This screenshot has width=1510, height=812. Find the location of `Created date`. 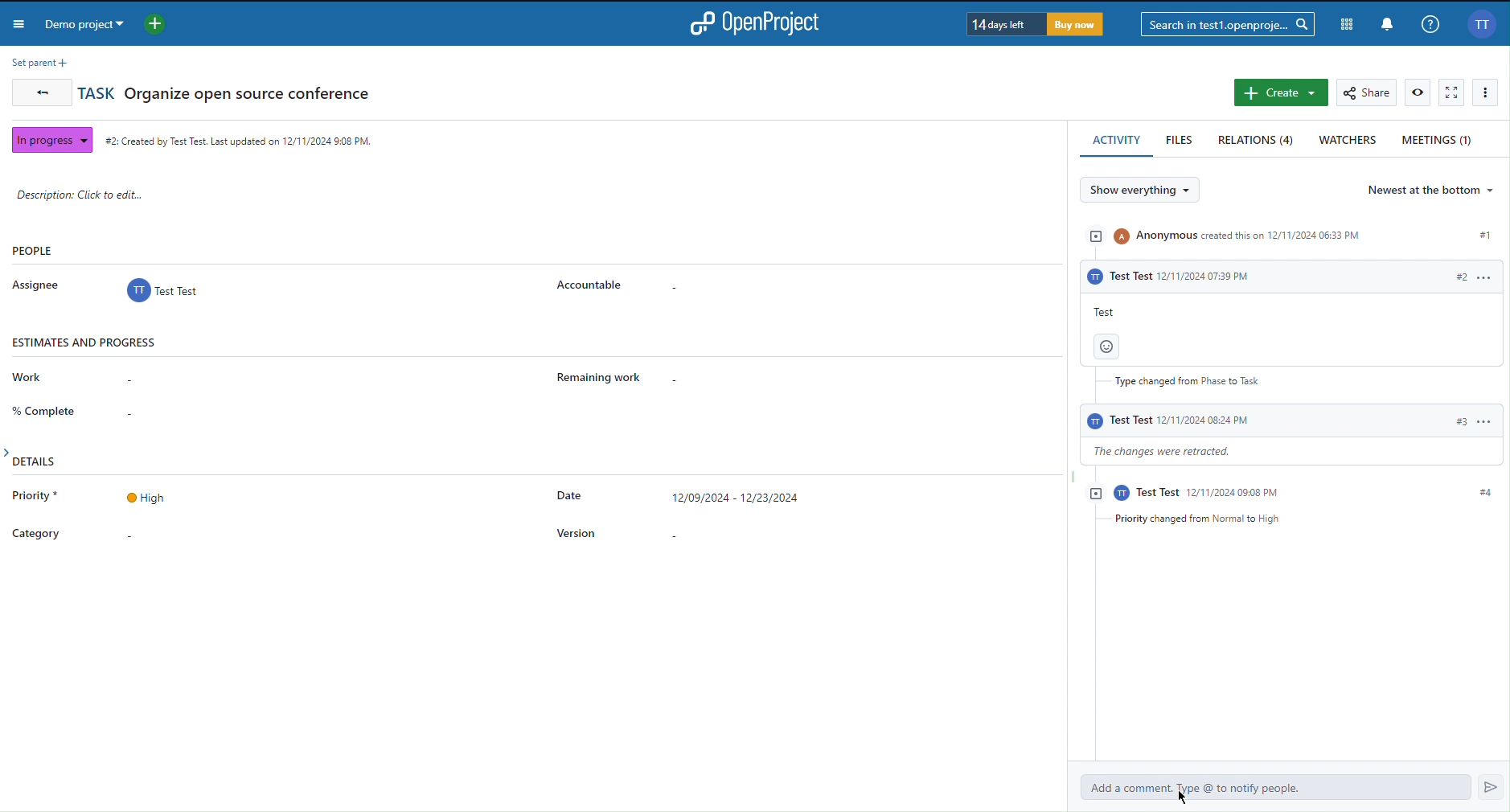

Created date is located at coordinates (240, 138).